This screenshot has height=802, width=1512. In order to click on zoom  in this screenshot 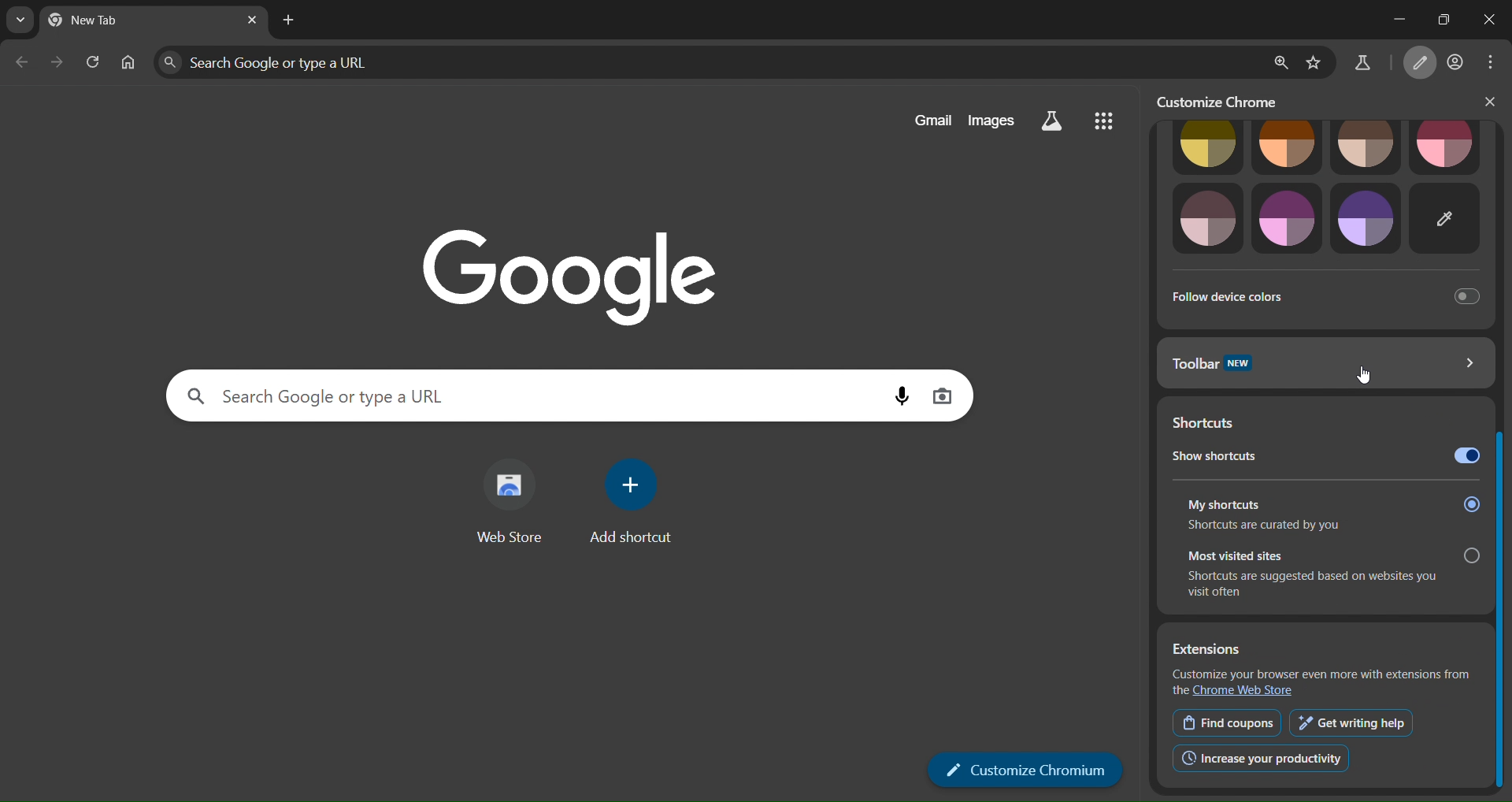, I will do `click(1281, 63)`.